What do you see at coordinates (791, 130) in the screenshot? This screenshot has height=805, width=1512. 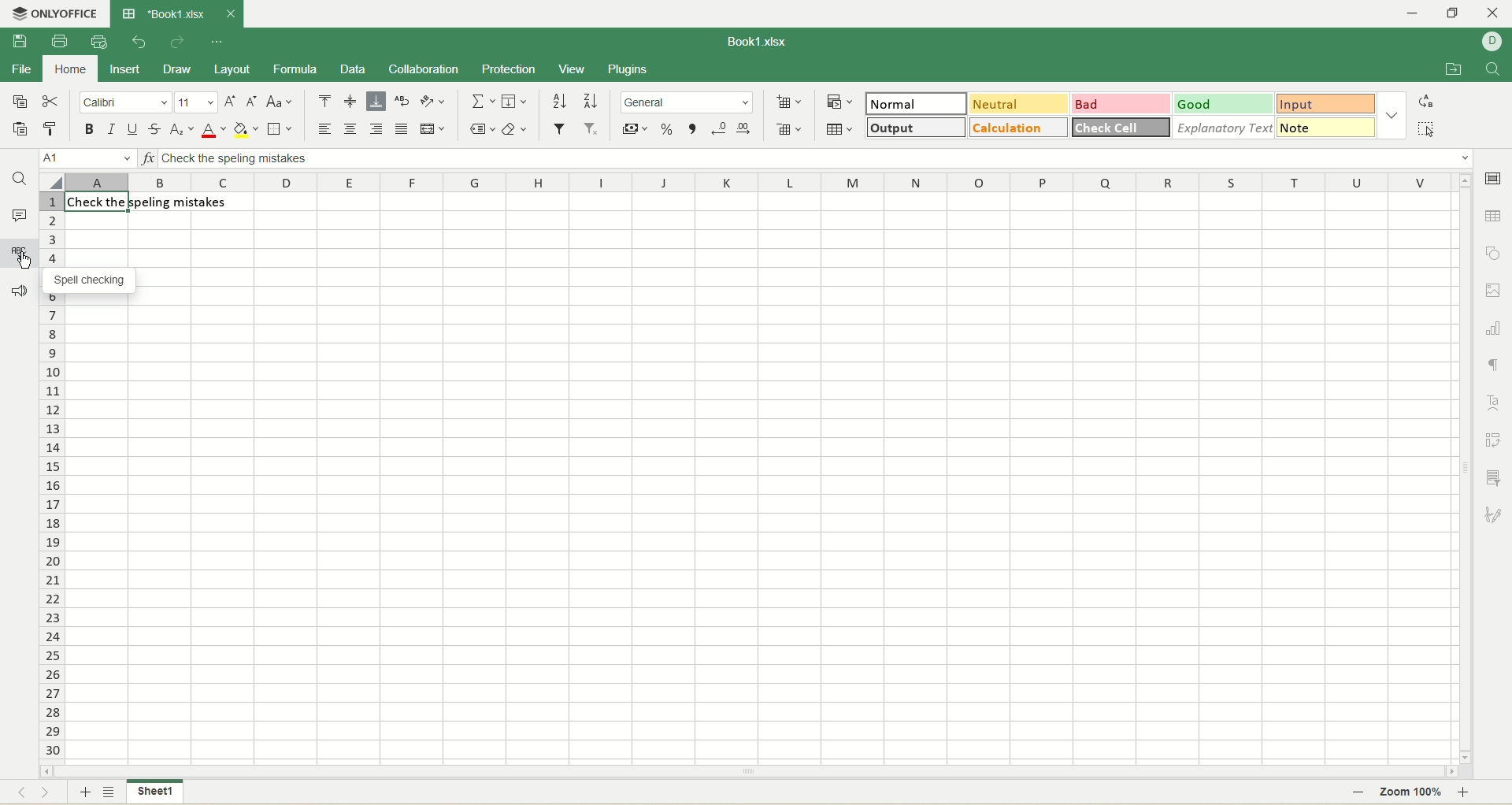 I see `removed cell` at bounding box center [791, 130].